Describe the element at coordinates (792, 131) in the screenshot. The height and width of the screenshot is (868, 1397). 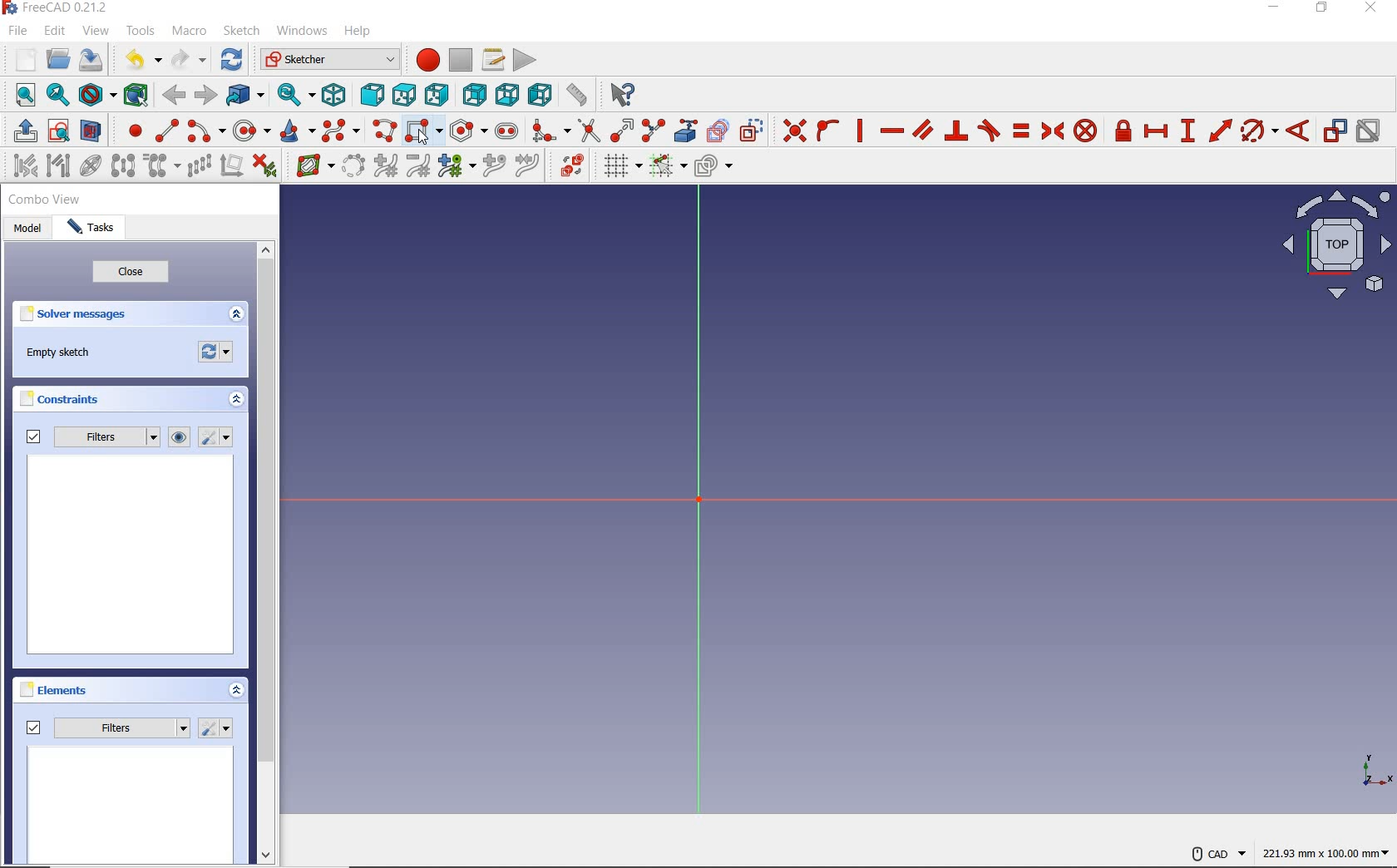
I see `constrain coincident` at that location.